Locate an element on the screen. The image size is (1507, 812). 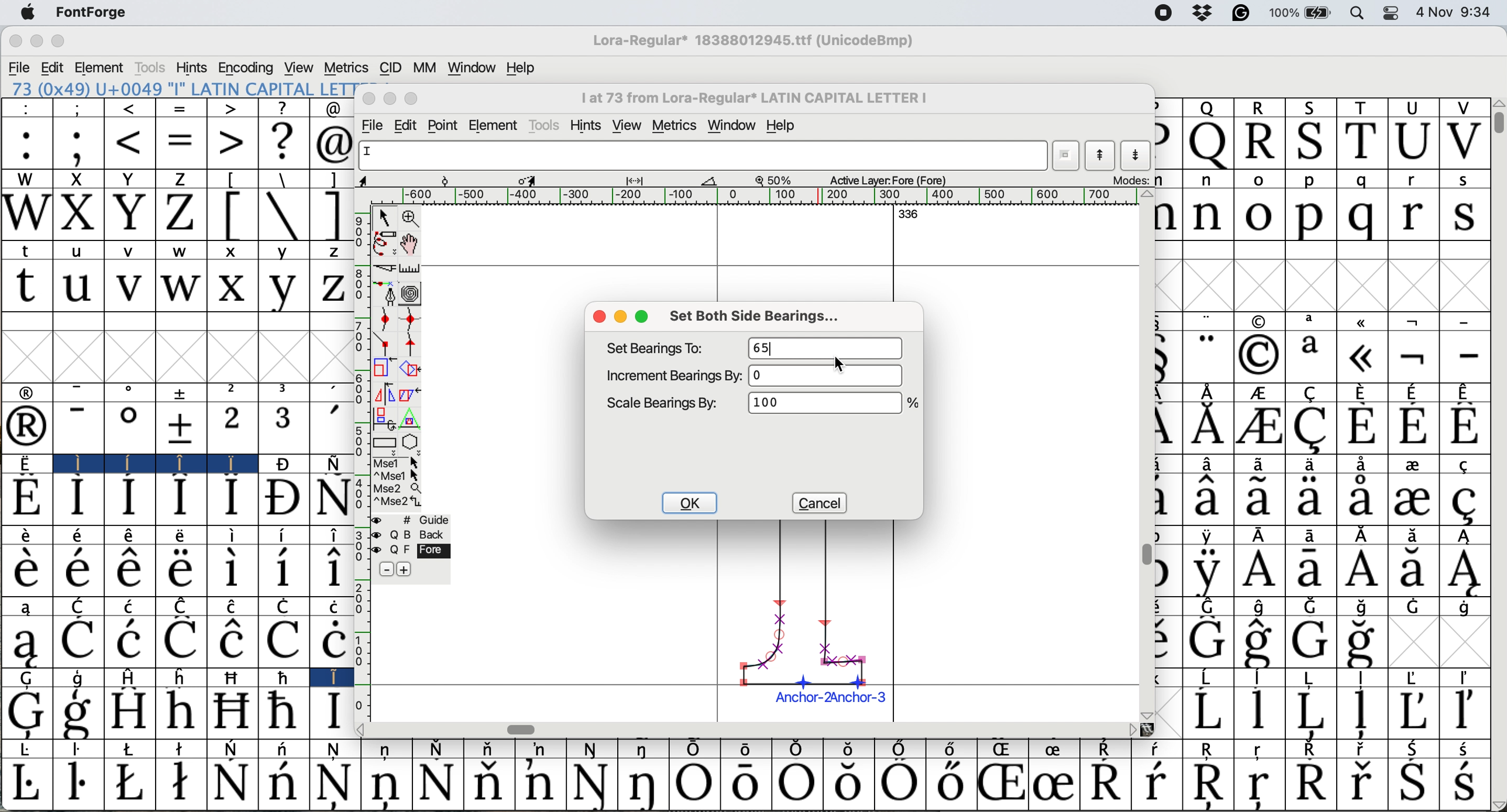
Symbol is located at coordinates (848, 783).